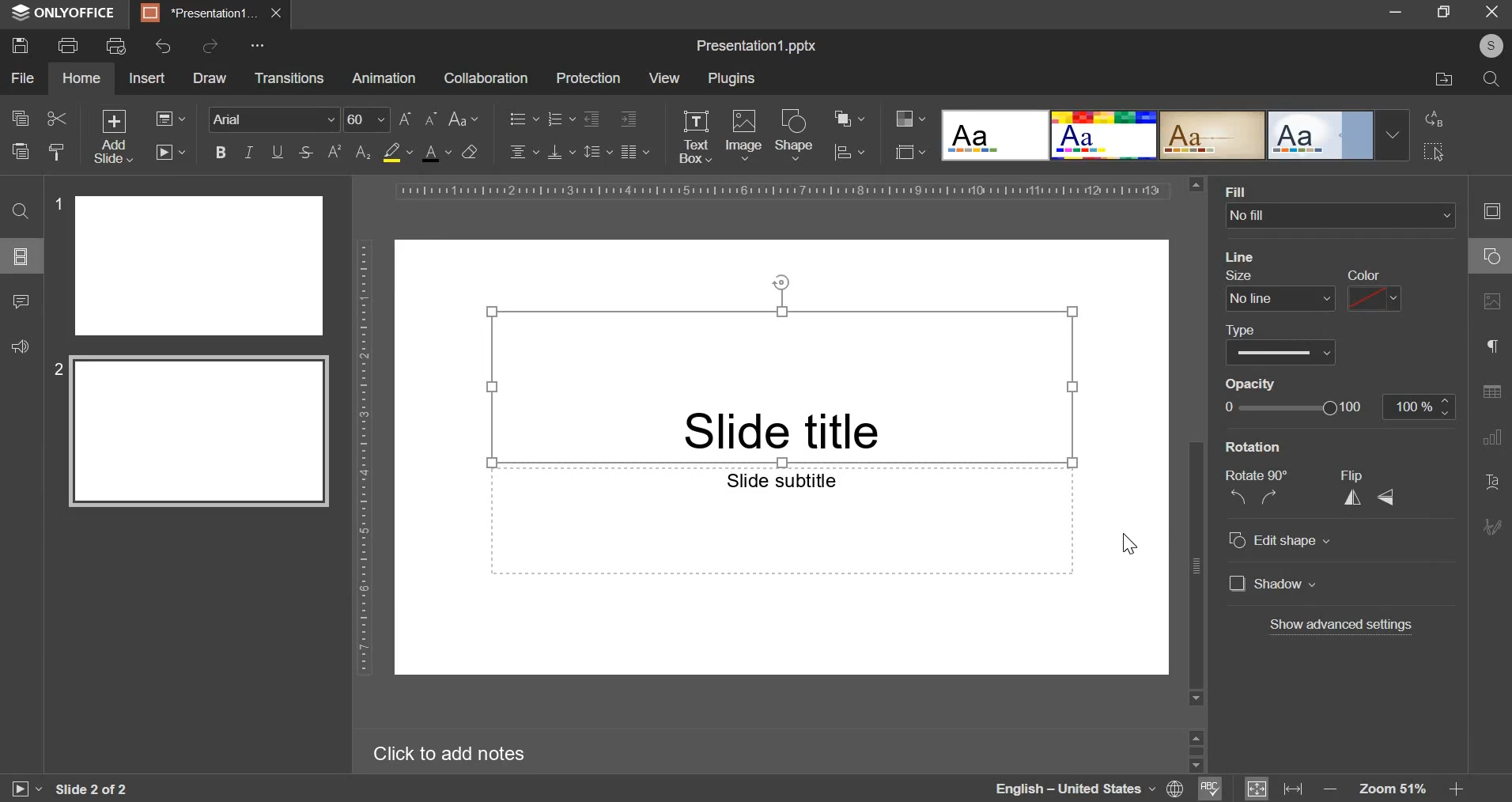 Image resolution: width=1512 pixels, height=802 pixels. I want to click on numbering, so click(560, 118).